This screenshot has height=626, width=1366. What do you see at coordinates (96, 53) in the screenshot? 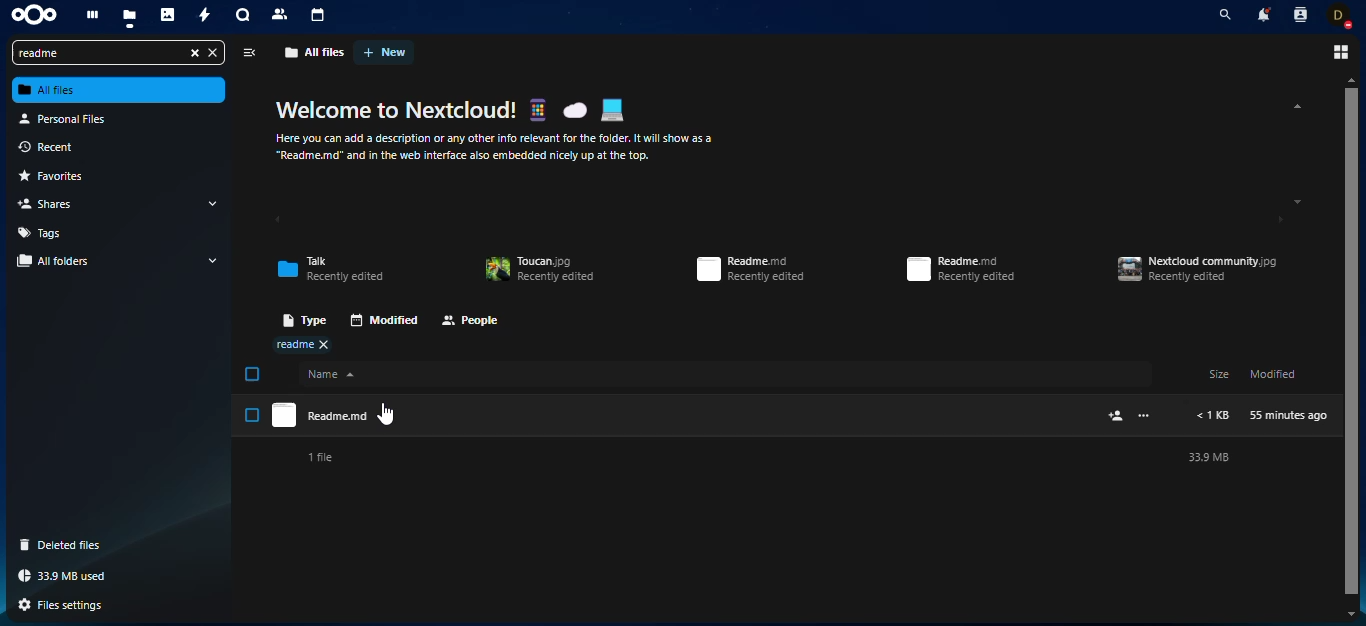
I see `readme` at bounding box center [96, 53].